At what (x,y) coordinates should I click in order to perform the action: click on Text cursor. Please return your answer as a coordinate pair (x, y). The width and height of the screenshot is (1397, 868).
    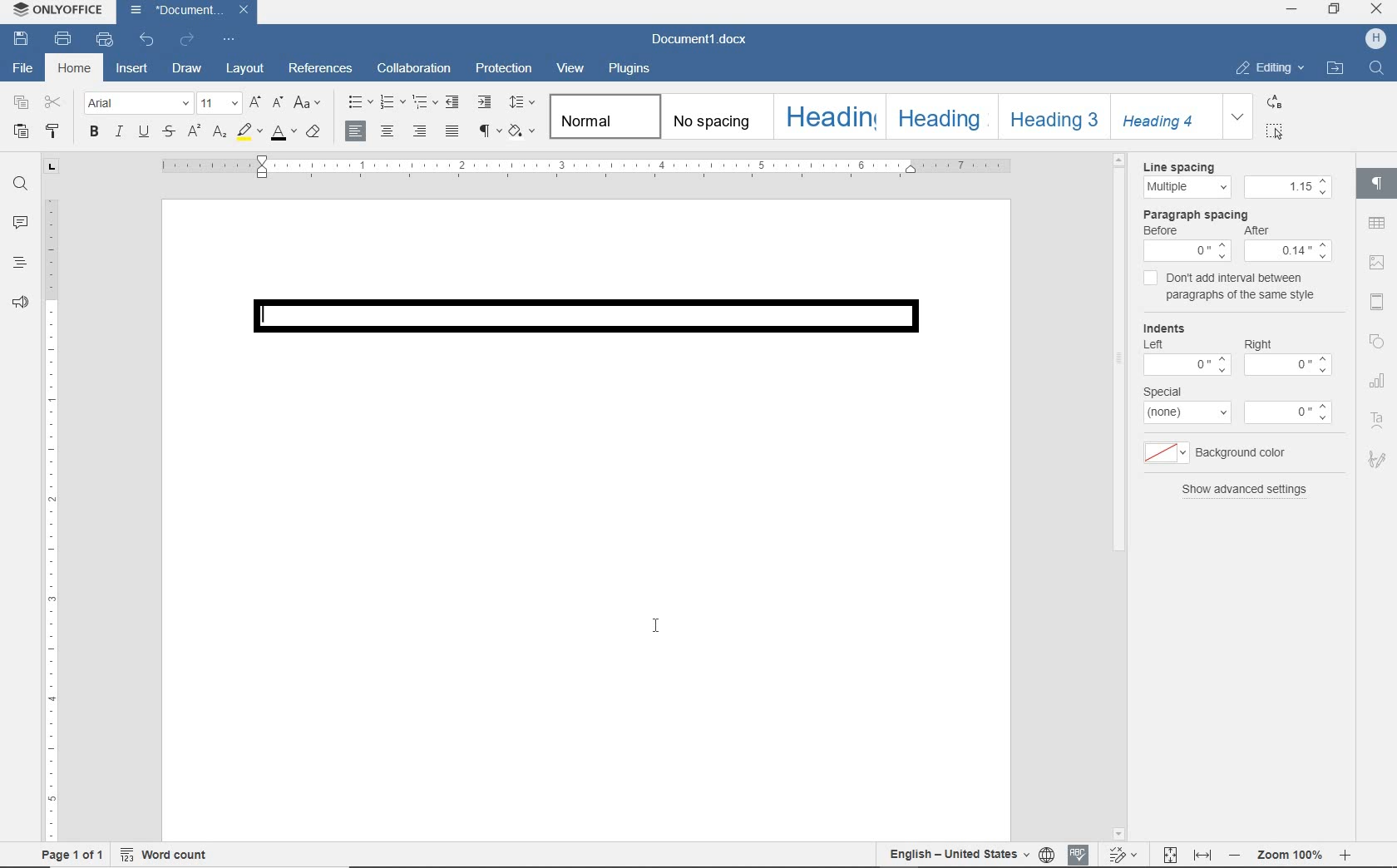
    Looking at the image, I should click on (261, 317).